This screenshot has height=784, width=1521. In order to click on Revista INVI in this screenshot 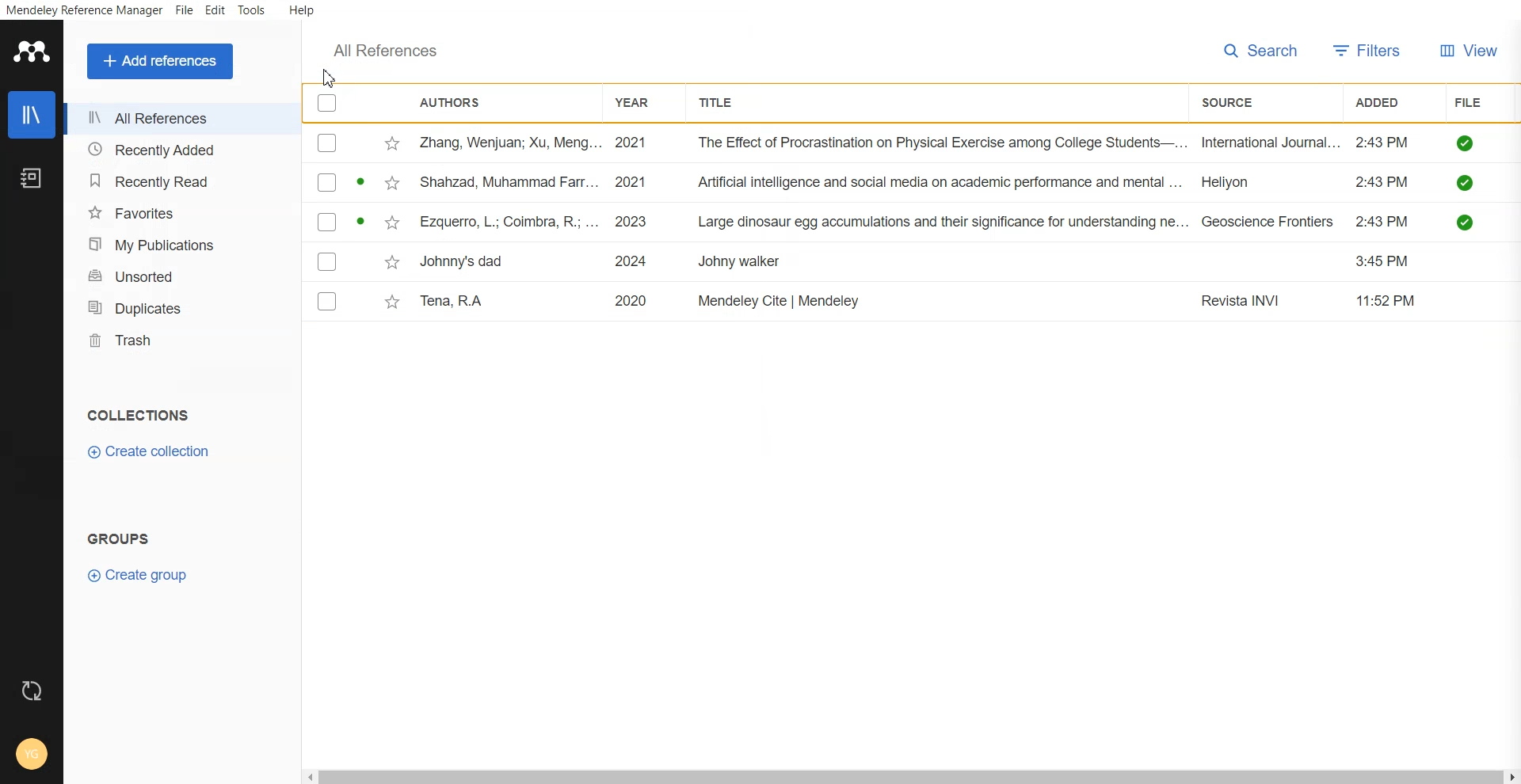, I will do `click(1245, 302)`.